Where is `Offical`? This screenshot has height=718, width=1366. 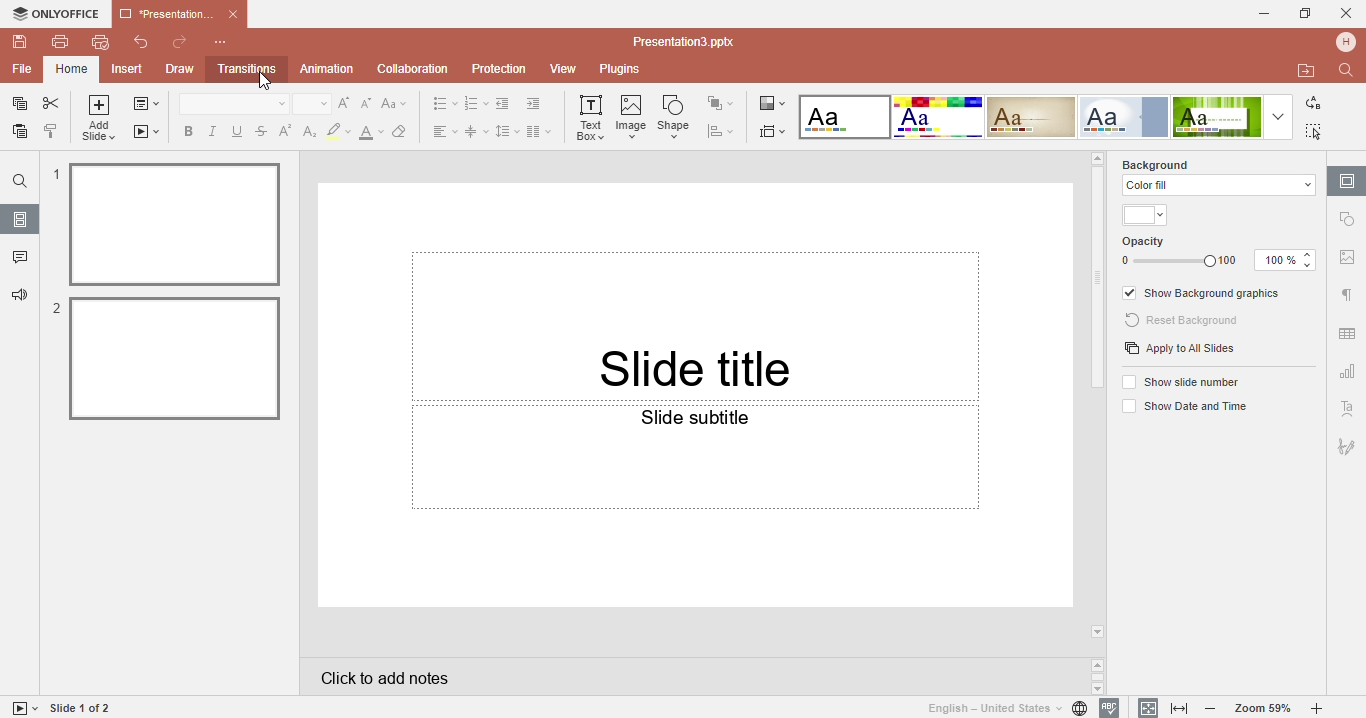
Offical is located at coordinates (1124, 117).